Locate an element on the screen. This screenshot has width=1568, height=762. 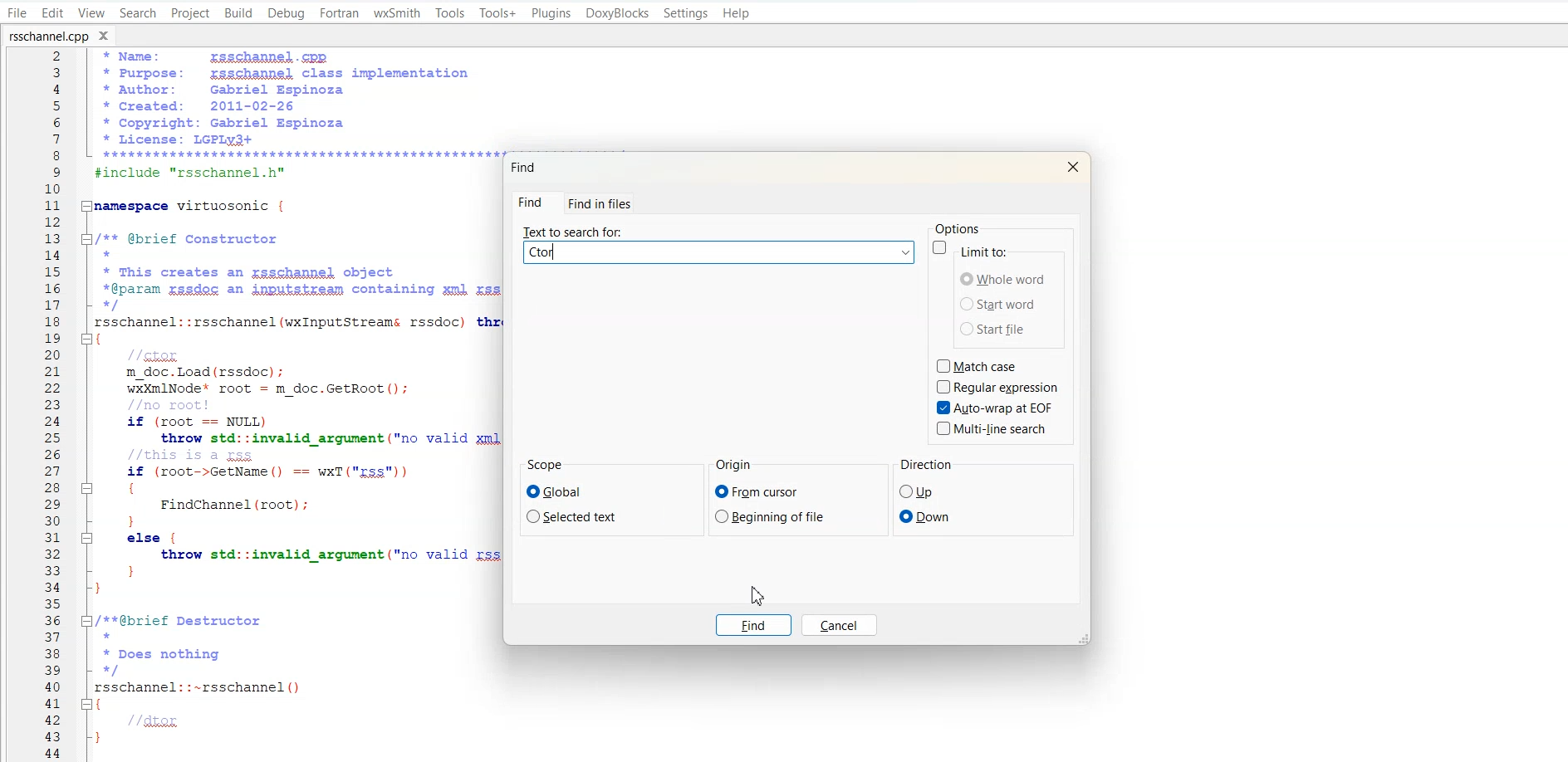
Match case is located at coordinates (981, 365).